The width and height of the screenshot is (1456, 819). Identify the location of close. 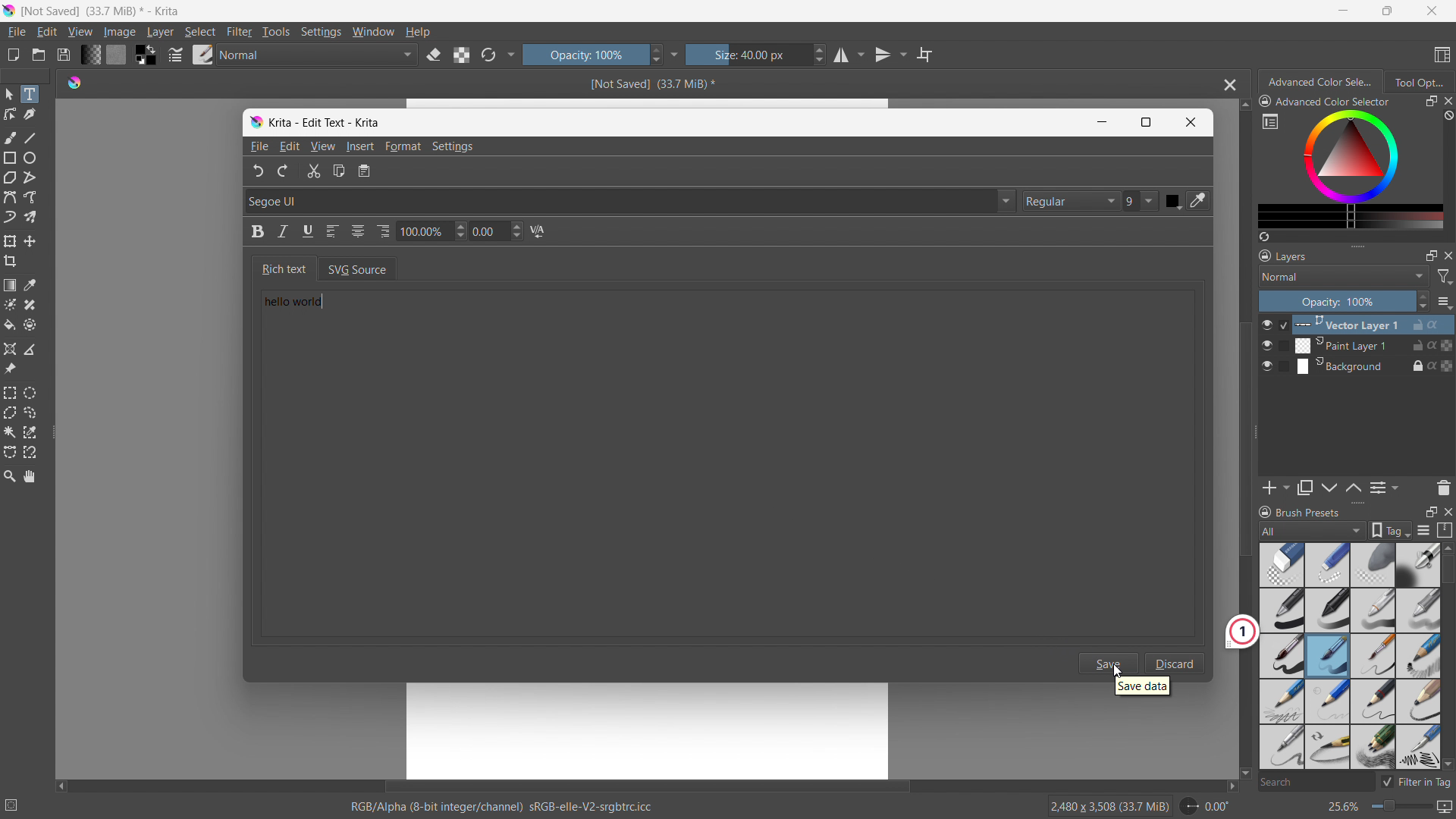
(1447, 255).